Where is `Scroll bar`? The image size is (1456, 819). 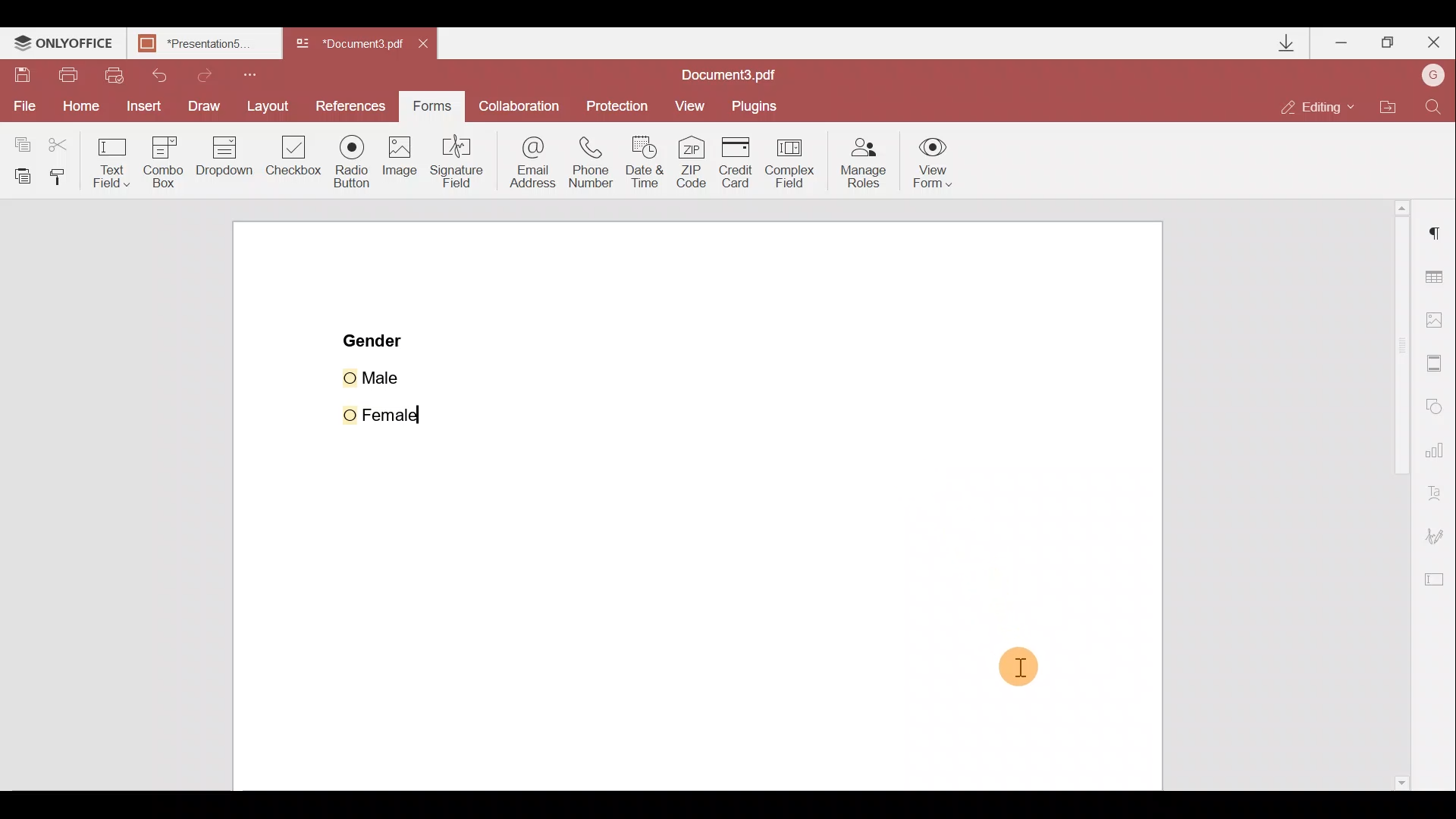
Scroll bar is located at coordinates (1389, 496).